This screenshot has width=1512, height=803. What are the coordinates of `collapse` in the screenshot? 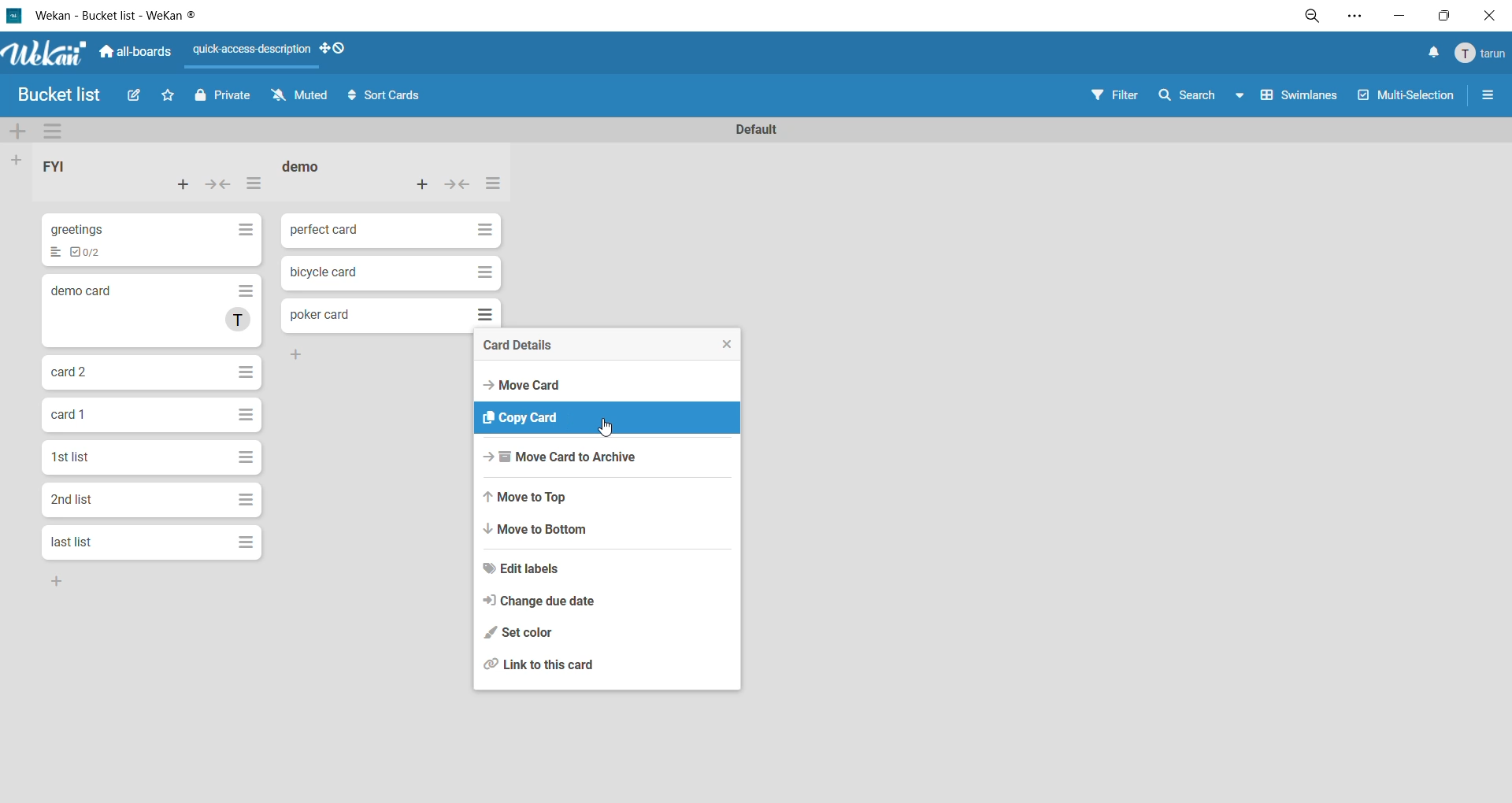 It's located at (221, 185).